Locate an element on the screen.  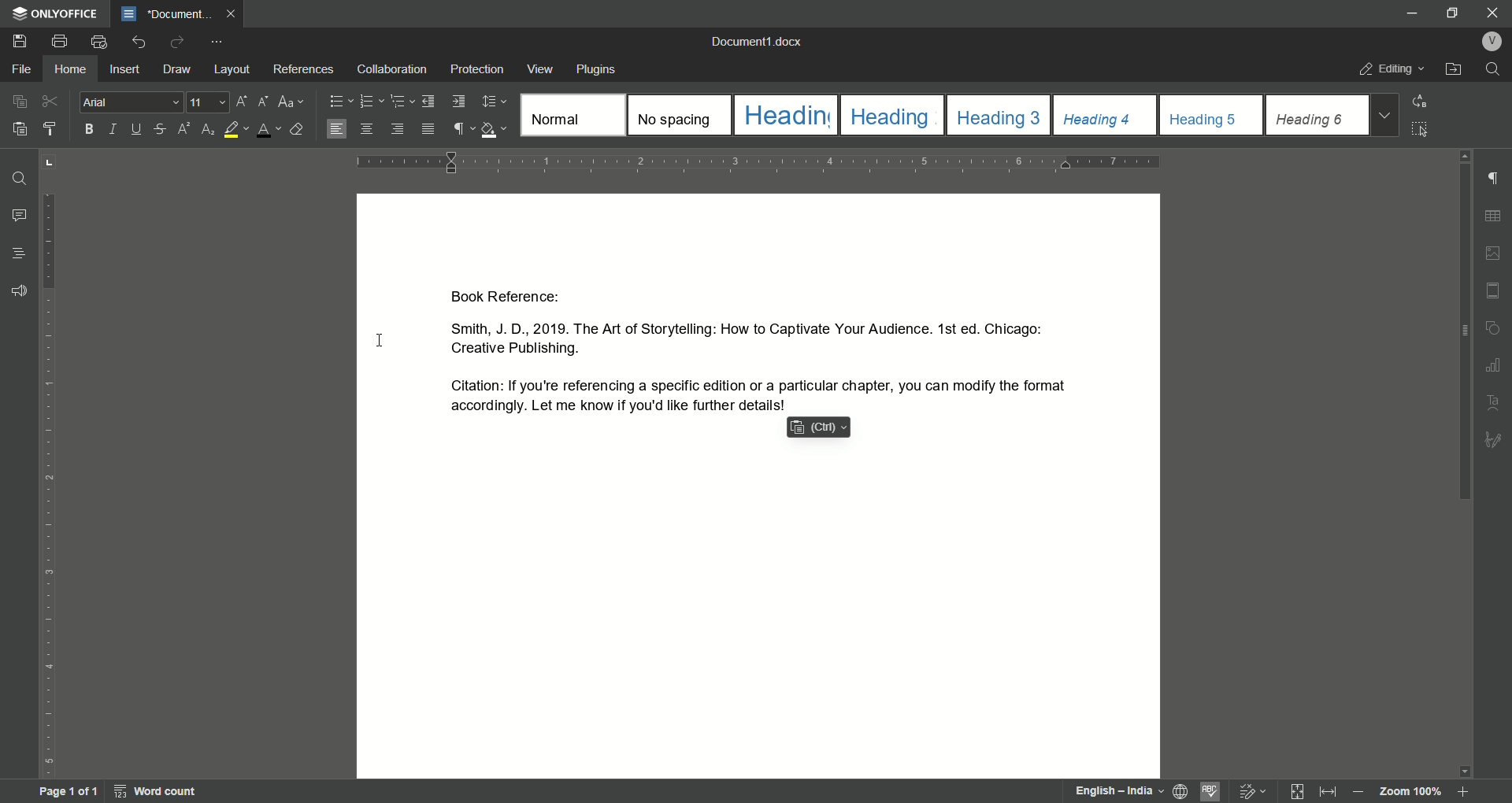
align right is located at coordinates (396, 128).